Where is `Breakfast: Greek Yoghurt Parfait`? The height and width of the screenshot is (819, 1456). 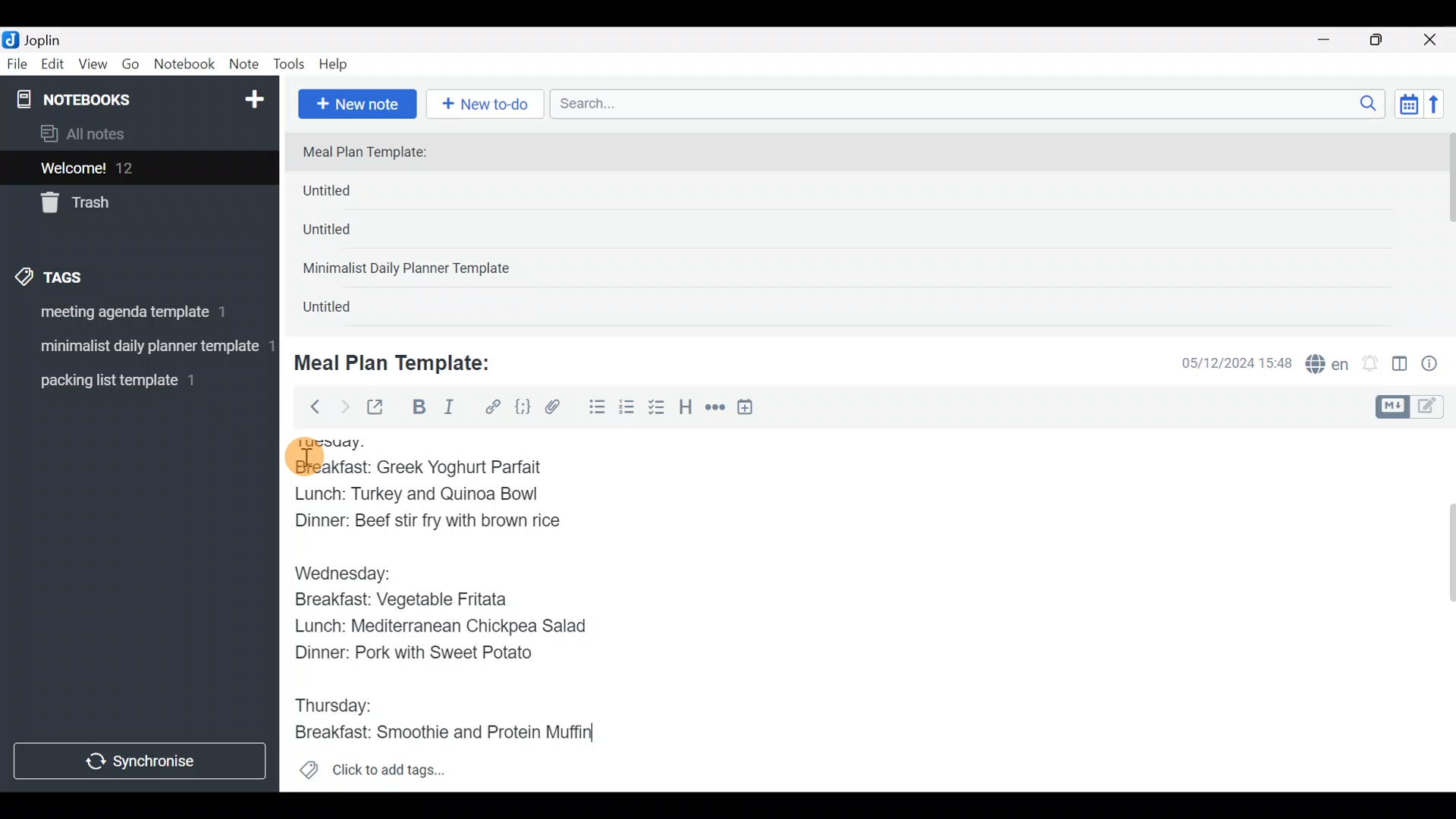 Breakfast: Greek Yoghurt Parfait is located at coordinates (421, 466).